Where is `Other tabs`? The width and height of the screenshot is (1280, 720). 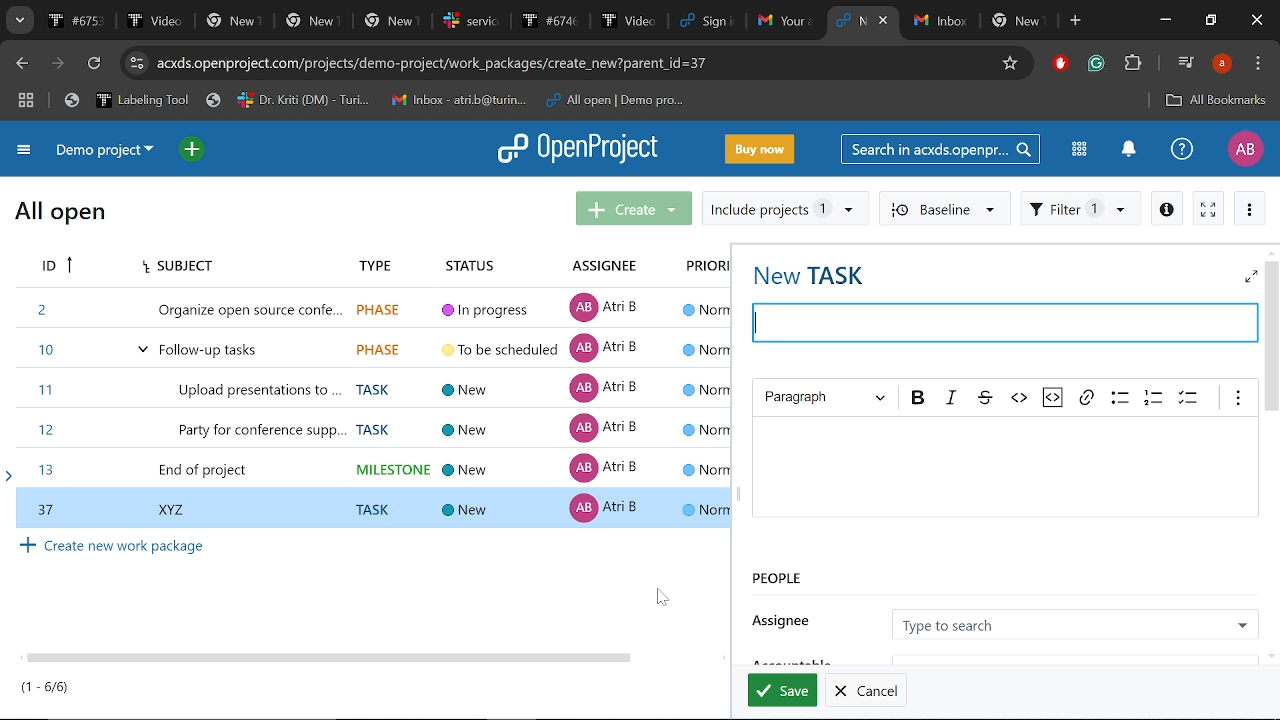 Other tabs is located at coordinates (981, 22).